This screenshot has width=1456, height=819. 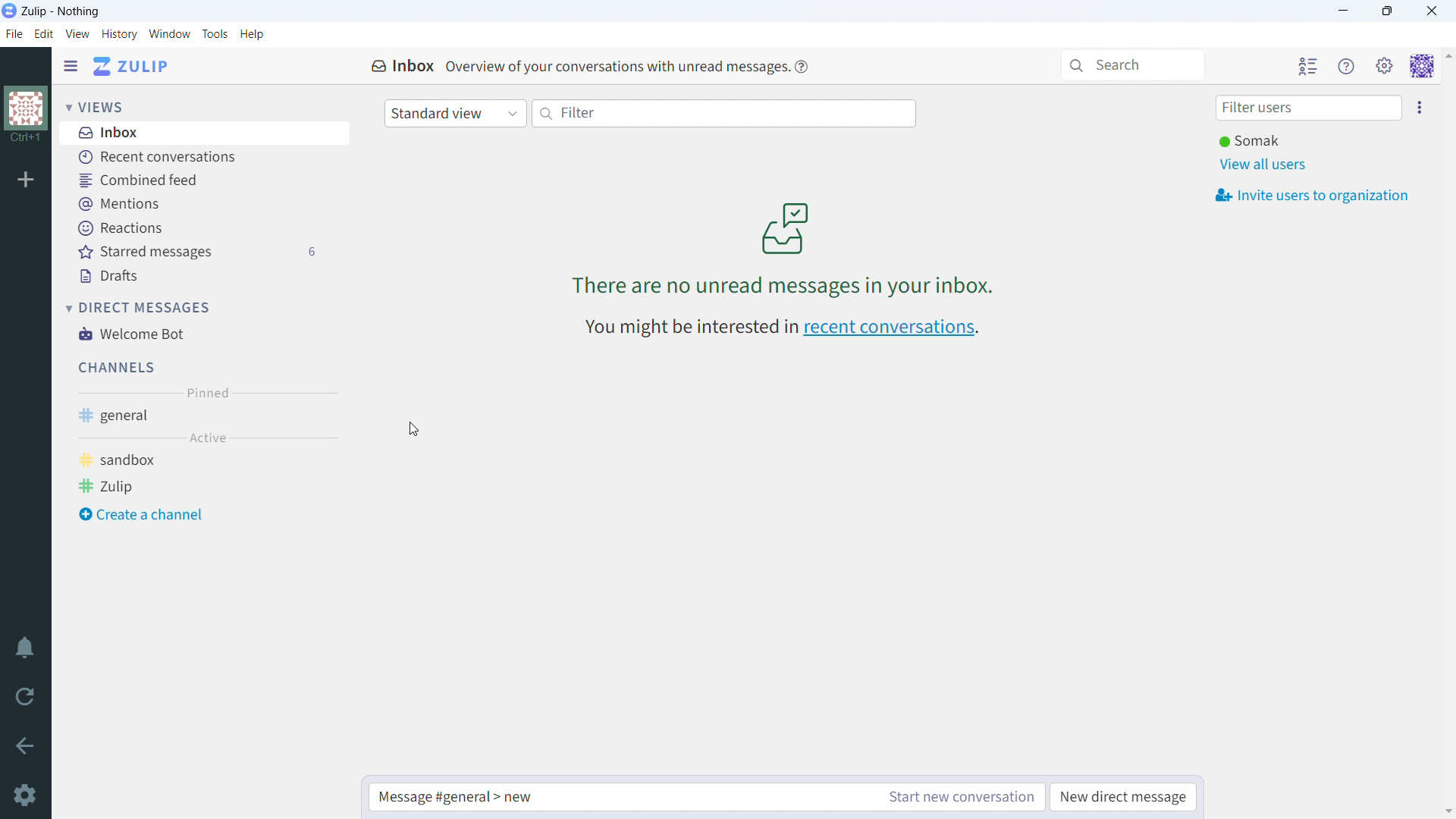 What do you see at coordinates (1132, 65) in the screenshot?
I see `search` at bounding box center [1132, 65].